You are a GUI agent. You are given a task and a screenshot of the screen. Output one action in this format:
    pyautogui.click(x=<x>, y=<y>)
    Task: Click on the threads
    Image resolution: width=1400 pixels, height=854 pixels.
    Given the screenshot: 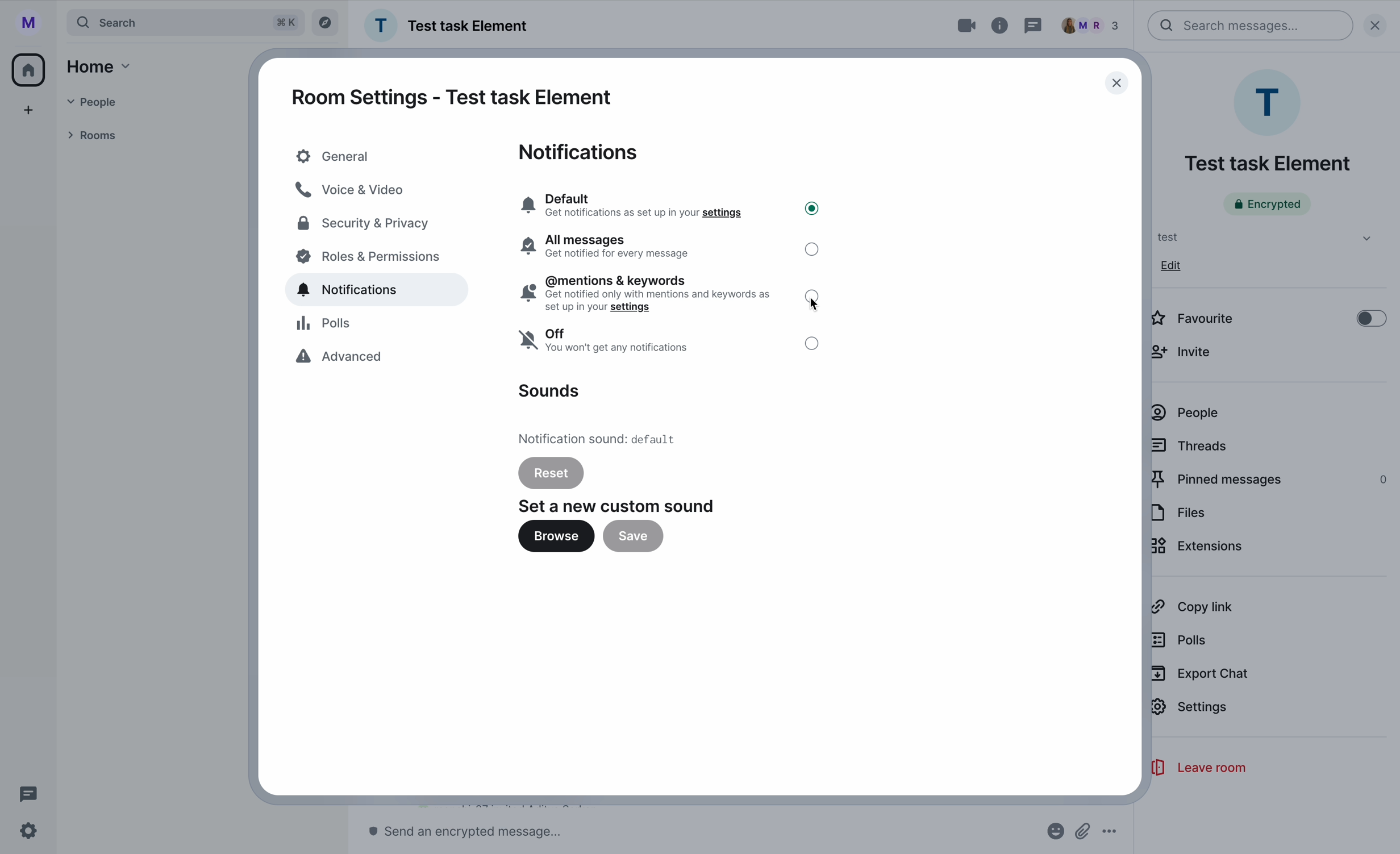 What is the action you would take?
    pyautogui.click(x=25, y=793)
    